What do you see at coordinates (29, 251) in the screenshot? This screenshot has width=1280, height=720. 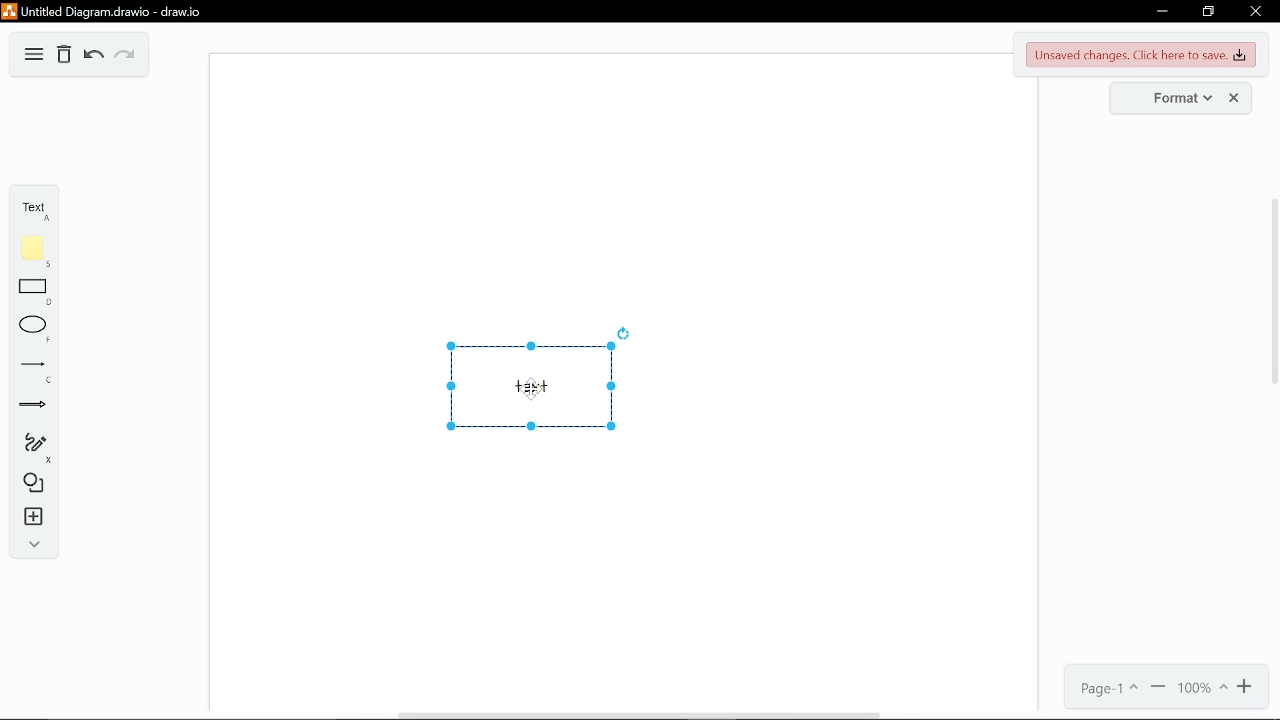 I see `note` at bounding box center [29, 251].